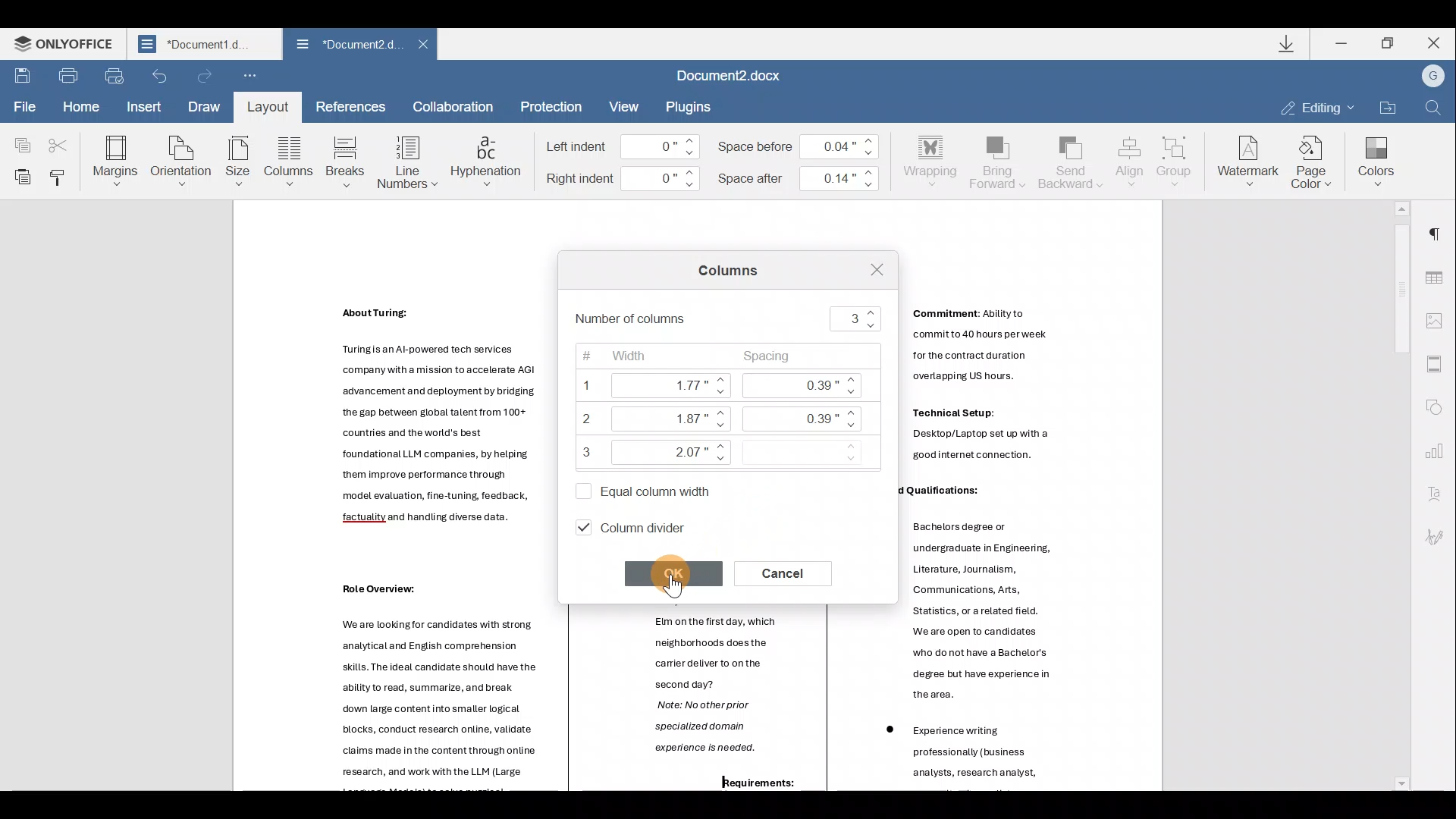 This screenshot has height=819, width=1456. I want to click on Scroll bar, so click(1396, 495).